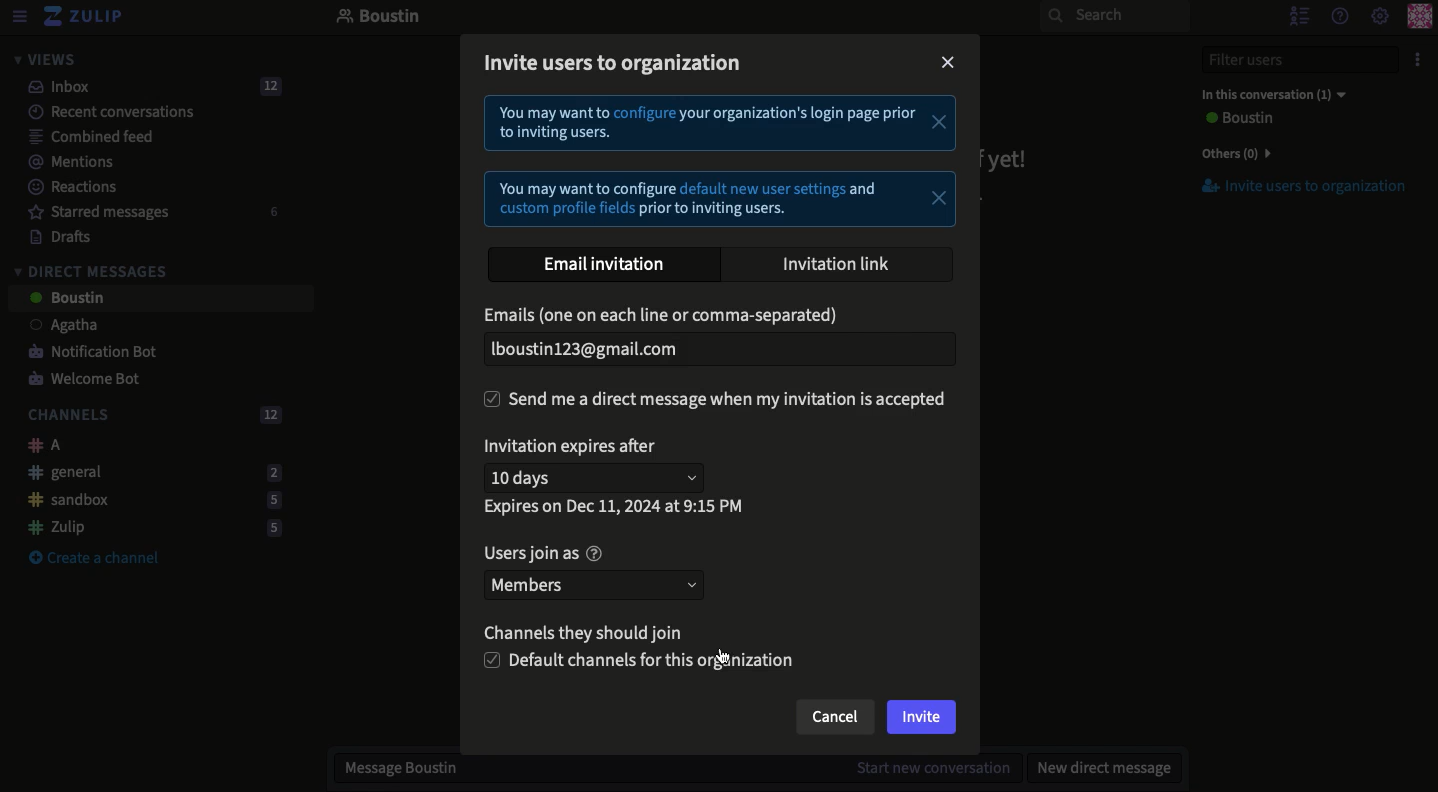 The height and width of the screenshot is (792, 1438). I want to click on In this conversation, so click(1269, 94).